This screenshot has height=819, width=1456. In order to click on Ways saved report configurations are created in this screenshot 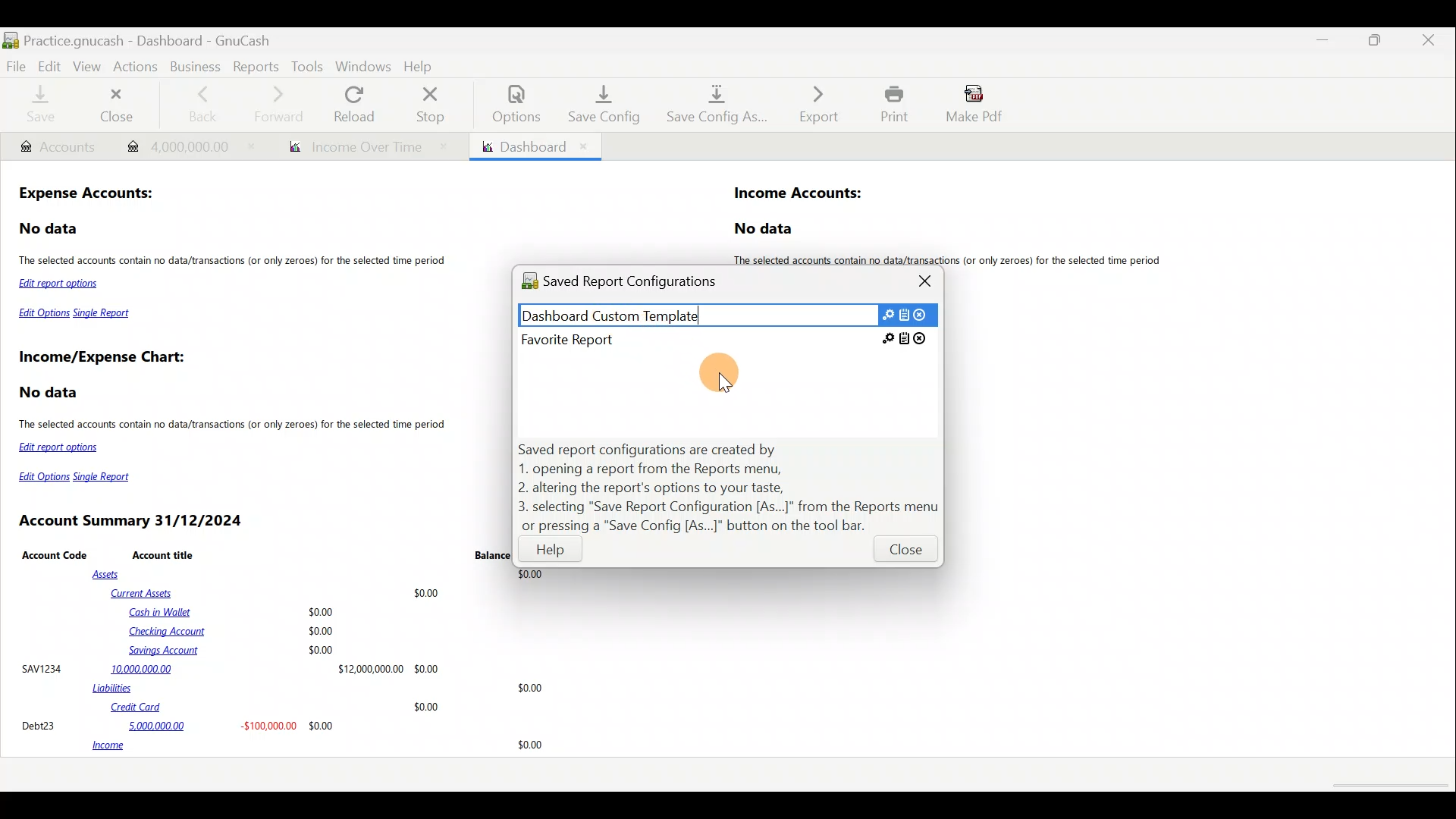, I will do `click(730, 488)`.